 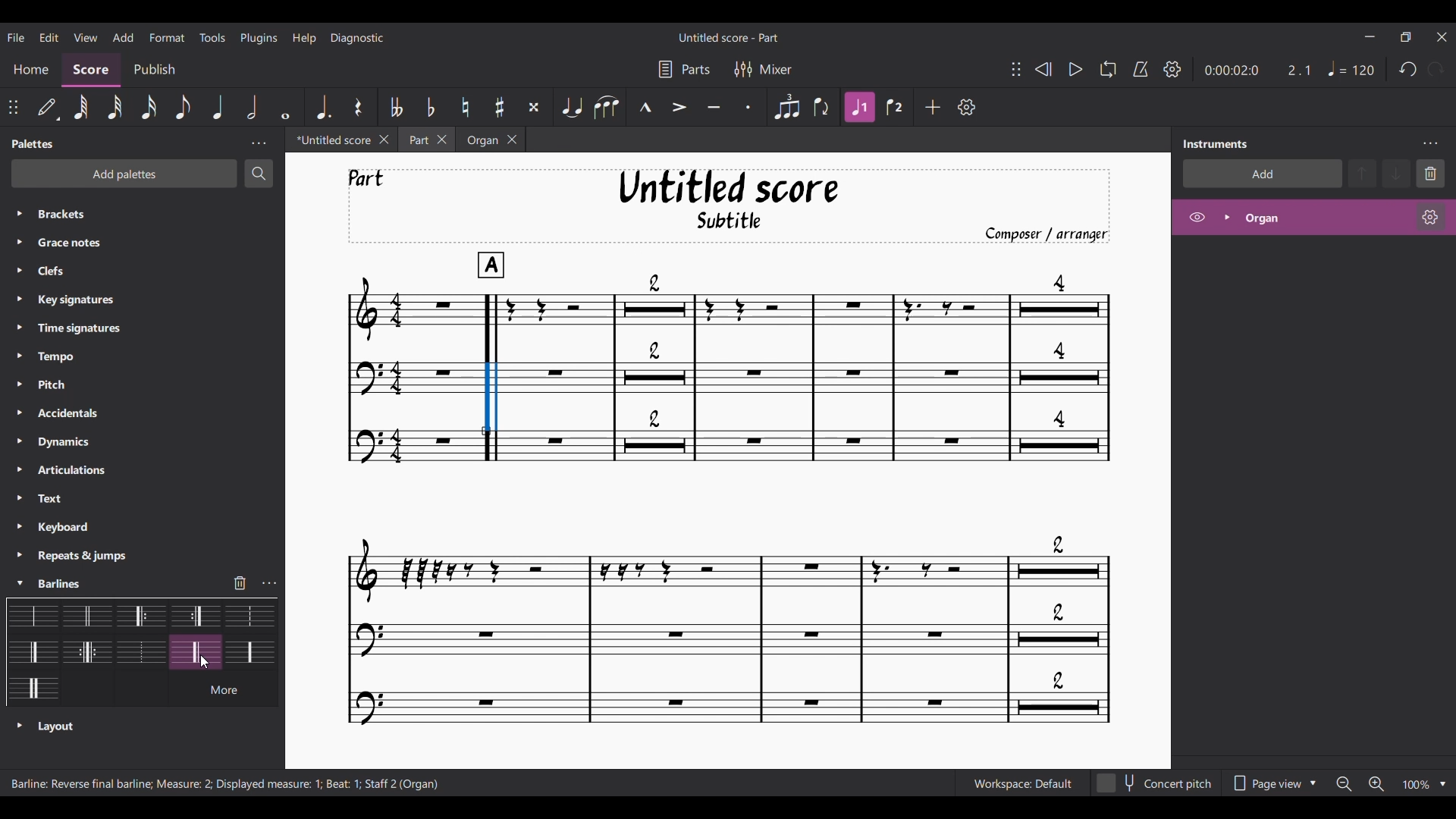 What do you see at coordinates (933, 107) in the screenshot?
I see `Add` at bounding box center [933, 107].